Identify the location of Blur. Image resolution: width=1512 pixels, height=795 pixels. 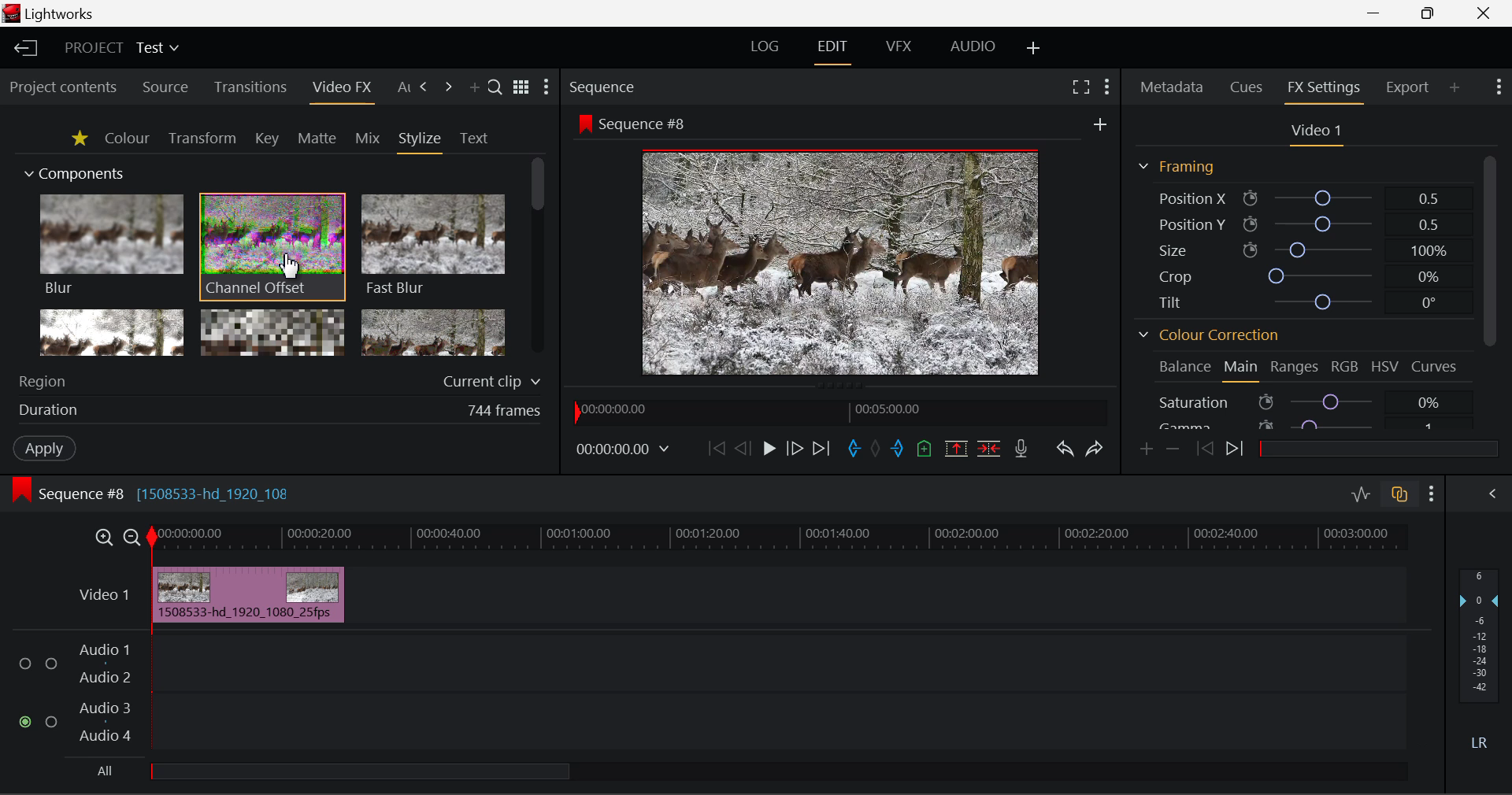
(110, 246).